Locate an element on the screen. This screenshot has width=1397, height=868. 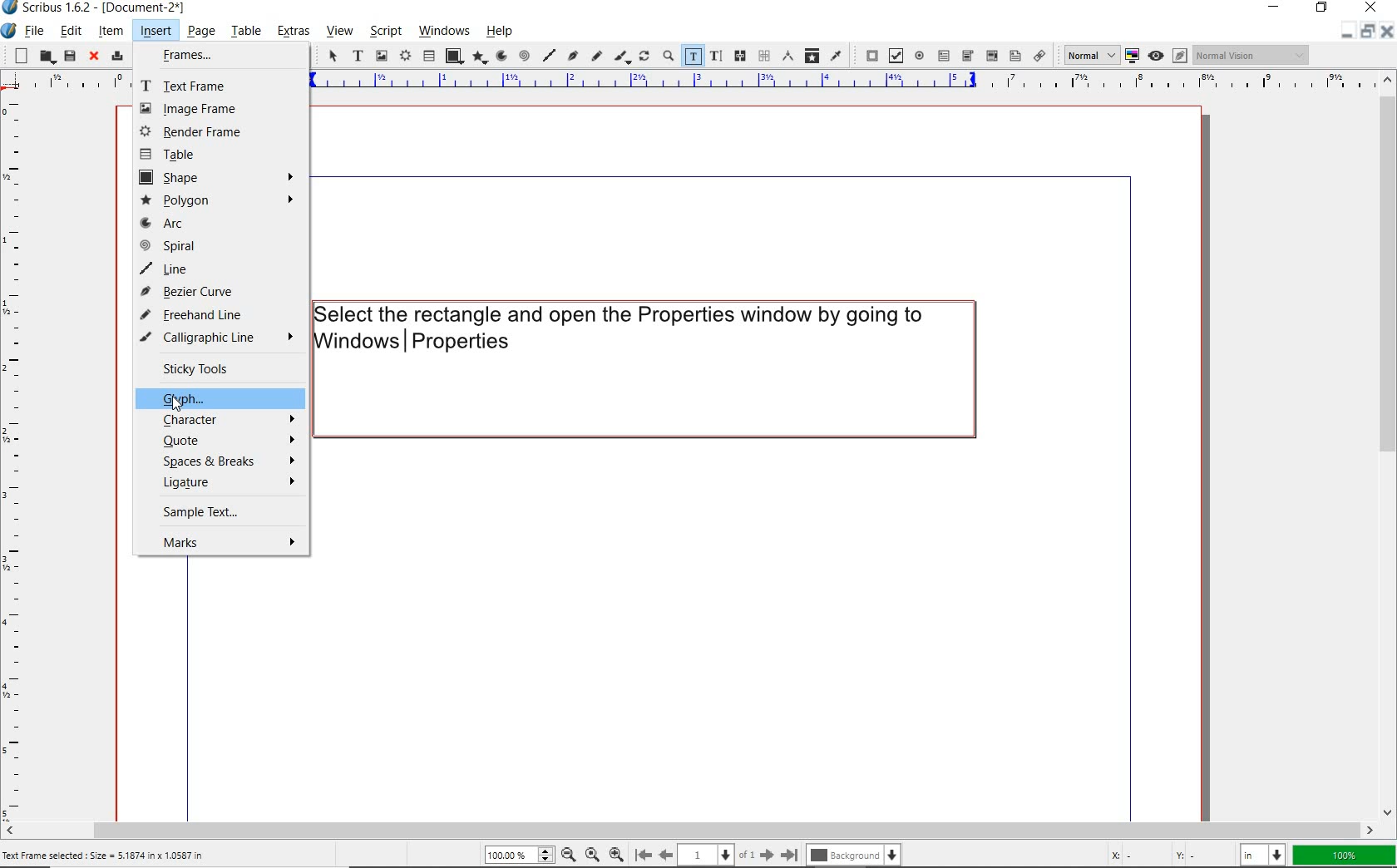
Background is located at coordinates (856, 853).